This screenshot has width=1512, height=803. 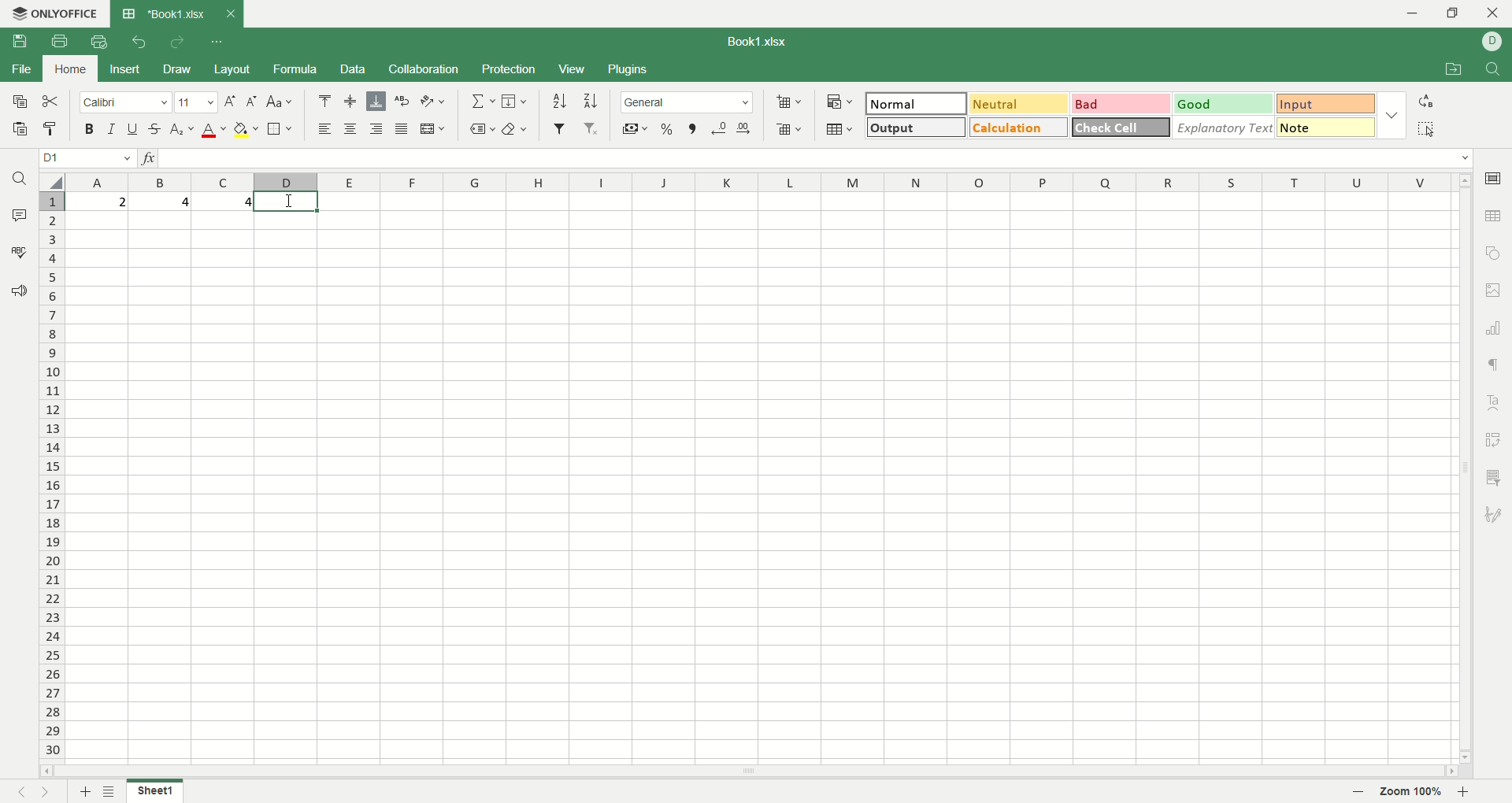 I want to click on cut, so click(x=53, y=100).